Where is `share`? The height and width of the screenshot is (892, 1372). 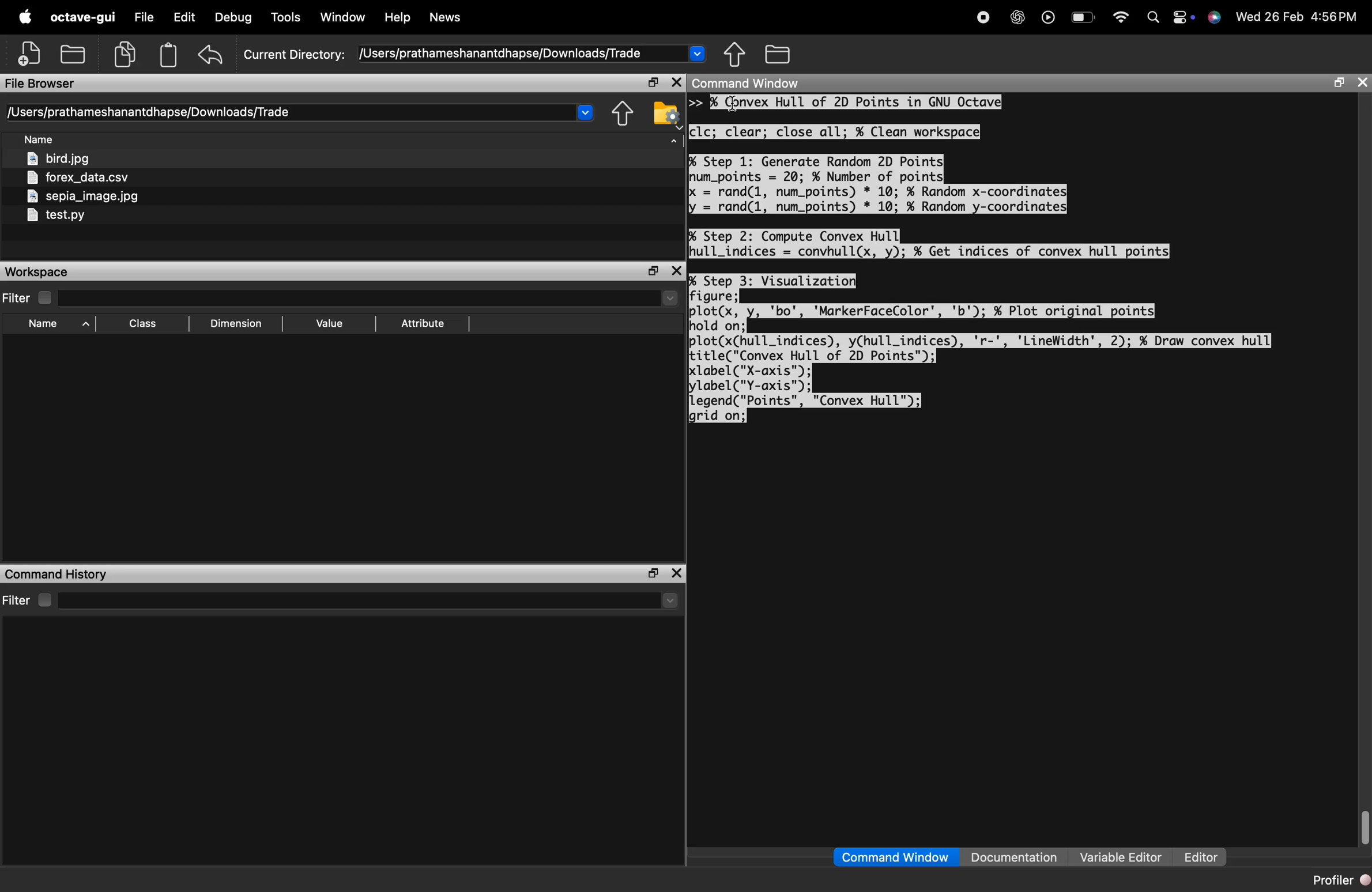 share is located at coordinates (735, 55).